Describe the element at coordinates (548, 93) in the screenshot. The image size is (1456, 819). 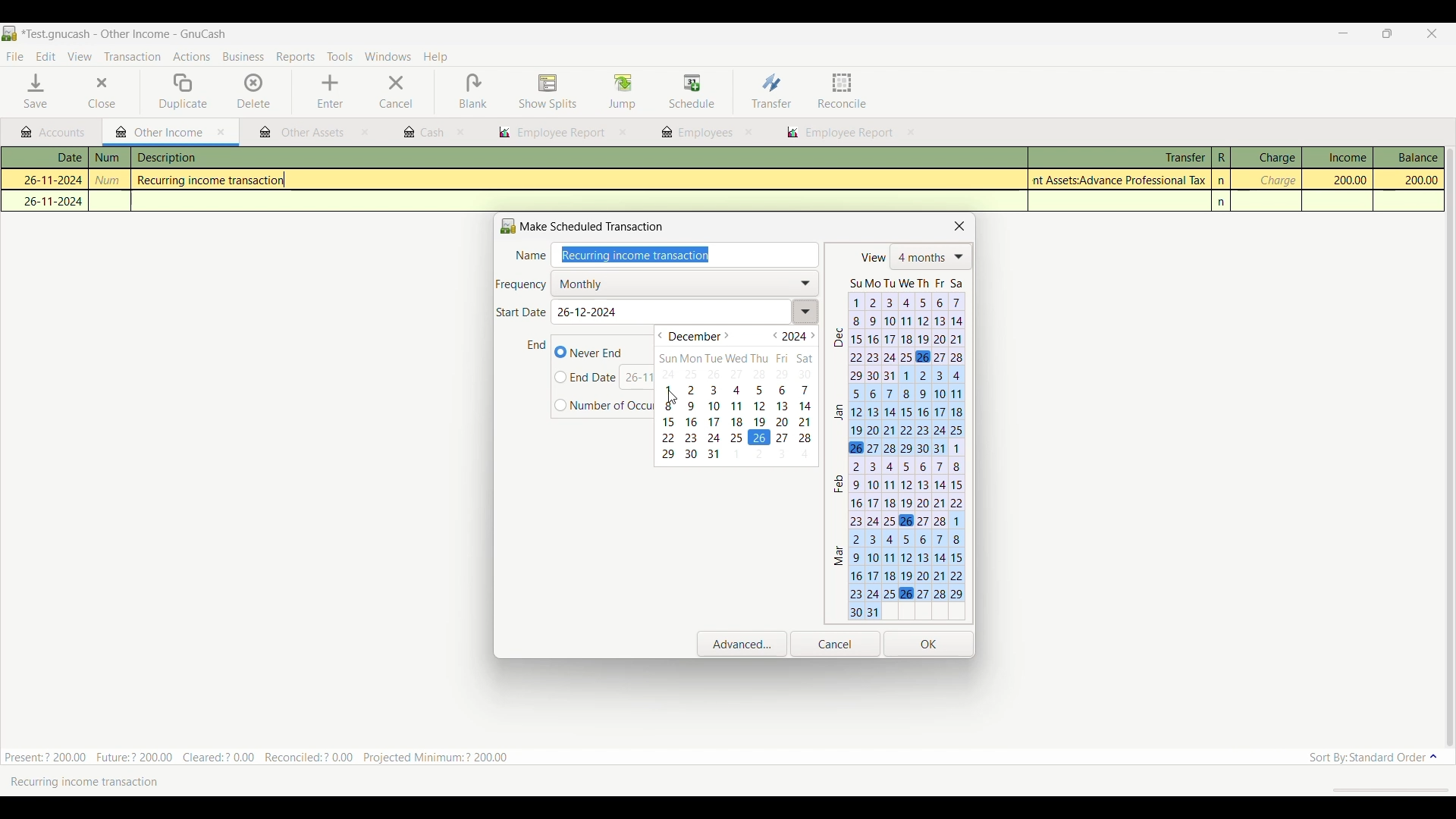
I see `Show splits` at that location.